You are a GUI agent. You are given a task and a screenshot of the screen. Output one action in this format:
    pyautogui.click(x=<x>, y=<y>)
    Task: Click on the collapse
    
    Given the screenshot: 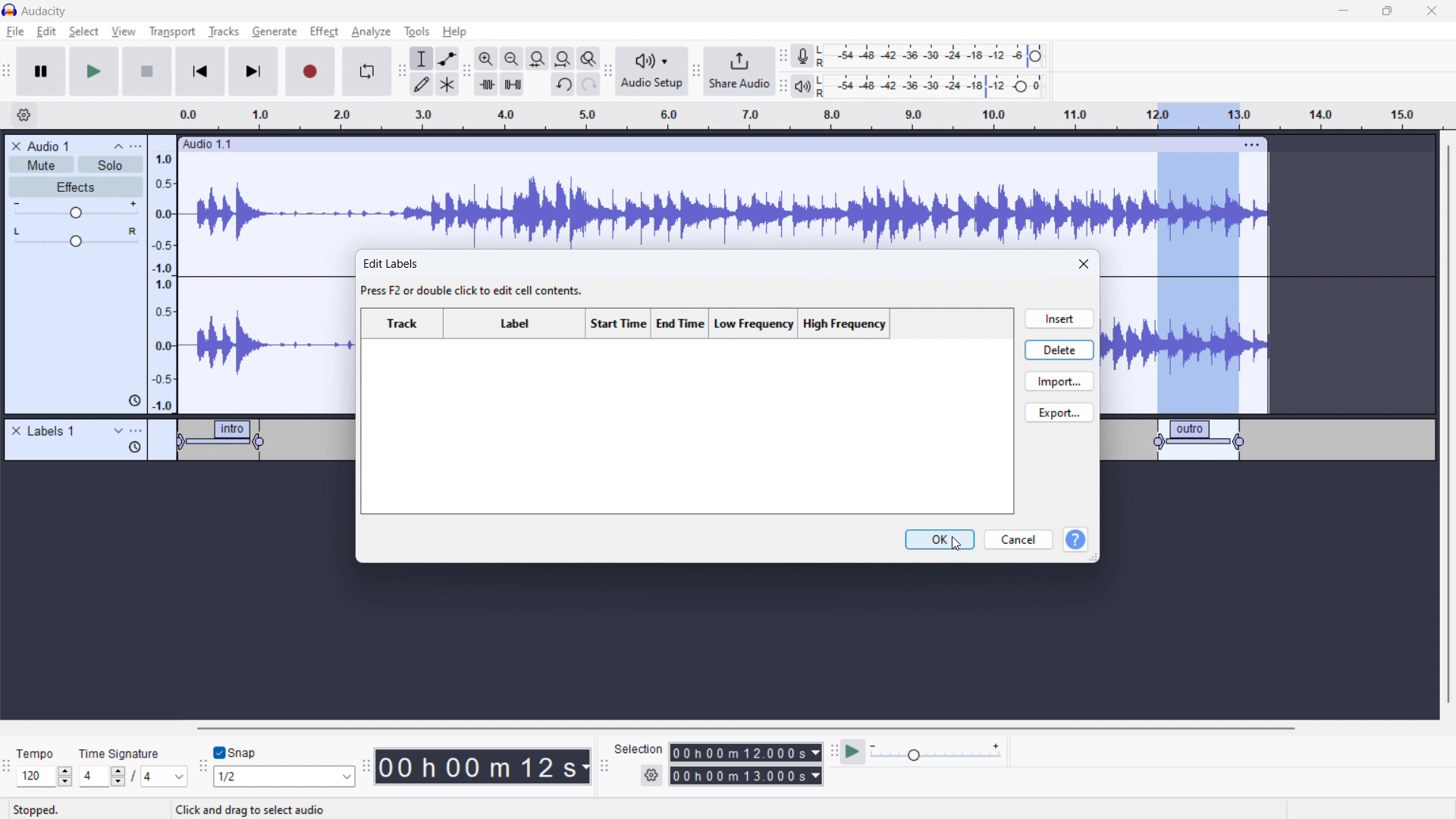 What is the action you would take?
    pyautogui.click(x=118, y=146)
    